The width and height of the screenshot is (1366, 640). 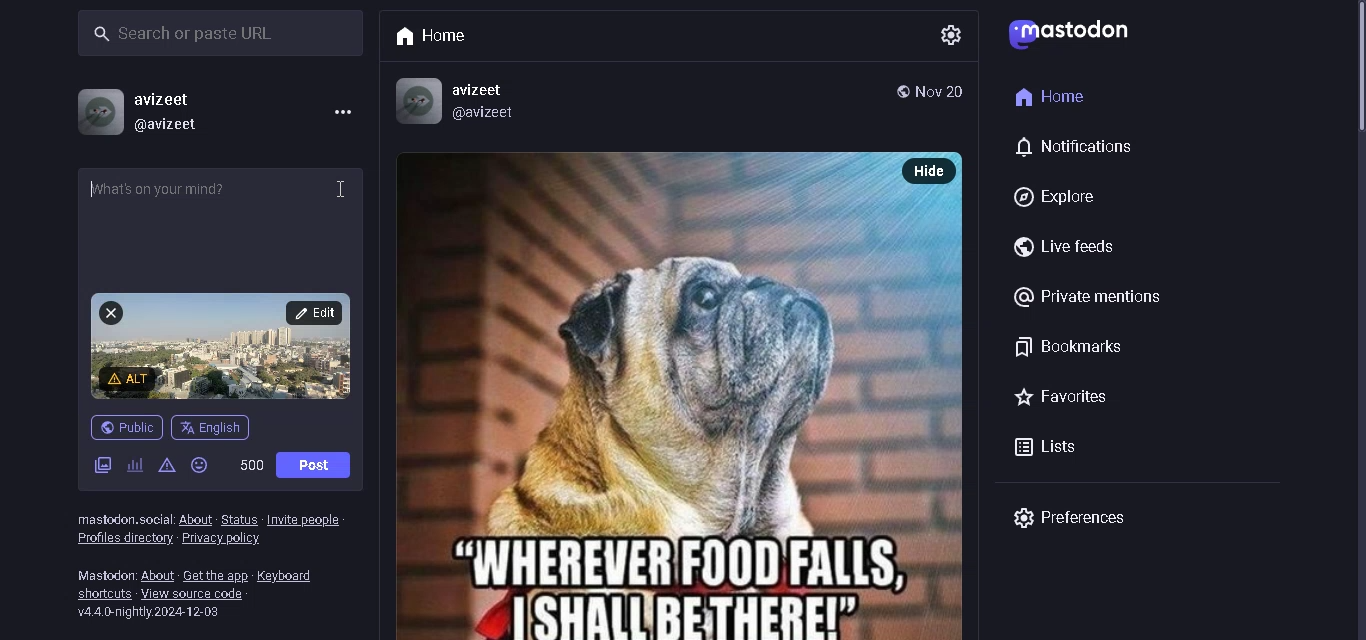 I want to click on menu, so click(x=337, y=110).